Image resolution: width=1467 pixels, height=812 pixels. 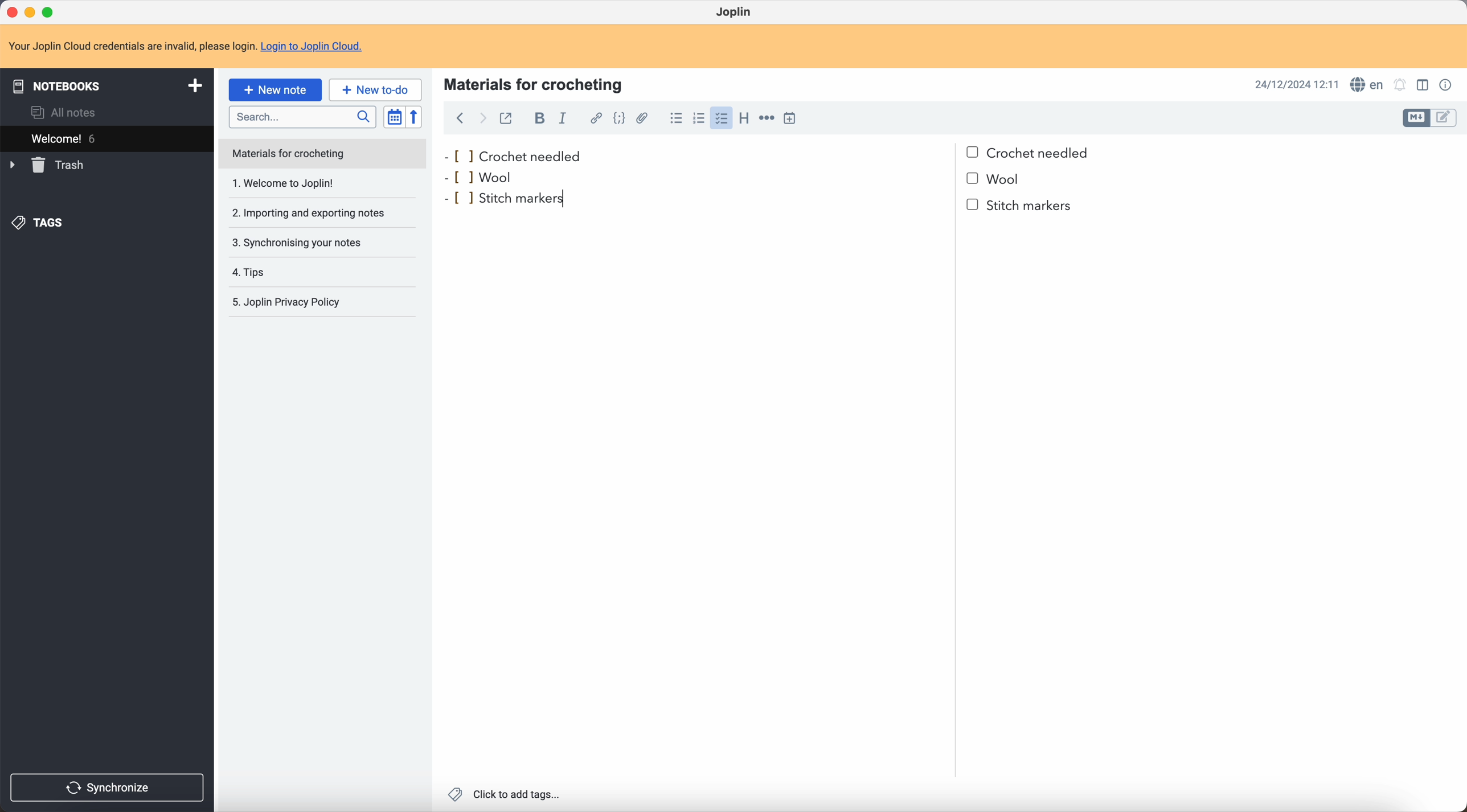 I want to click on tips, so click(x=301, y=272).